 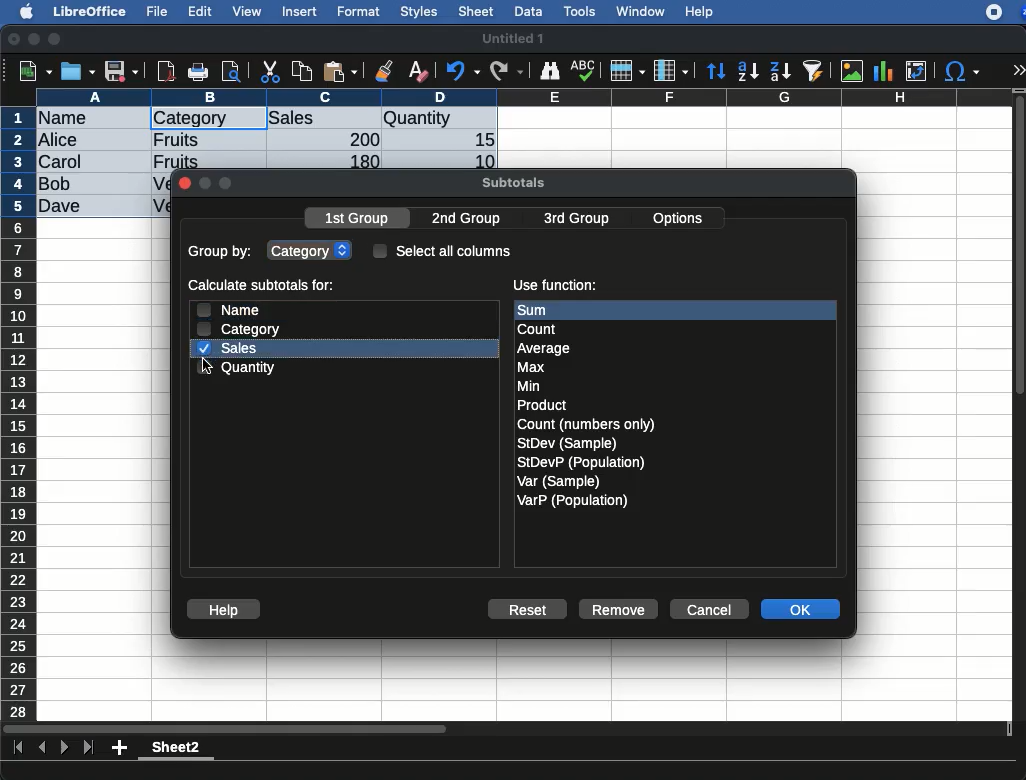 What do you see at coordinates (581, 11) in the screenshot?
I see `tools` at bounding box center [581, 11].